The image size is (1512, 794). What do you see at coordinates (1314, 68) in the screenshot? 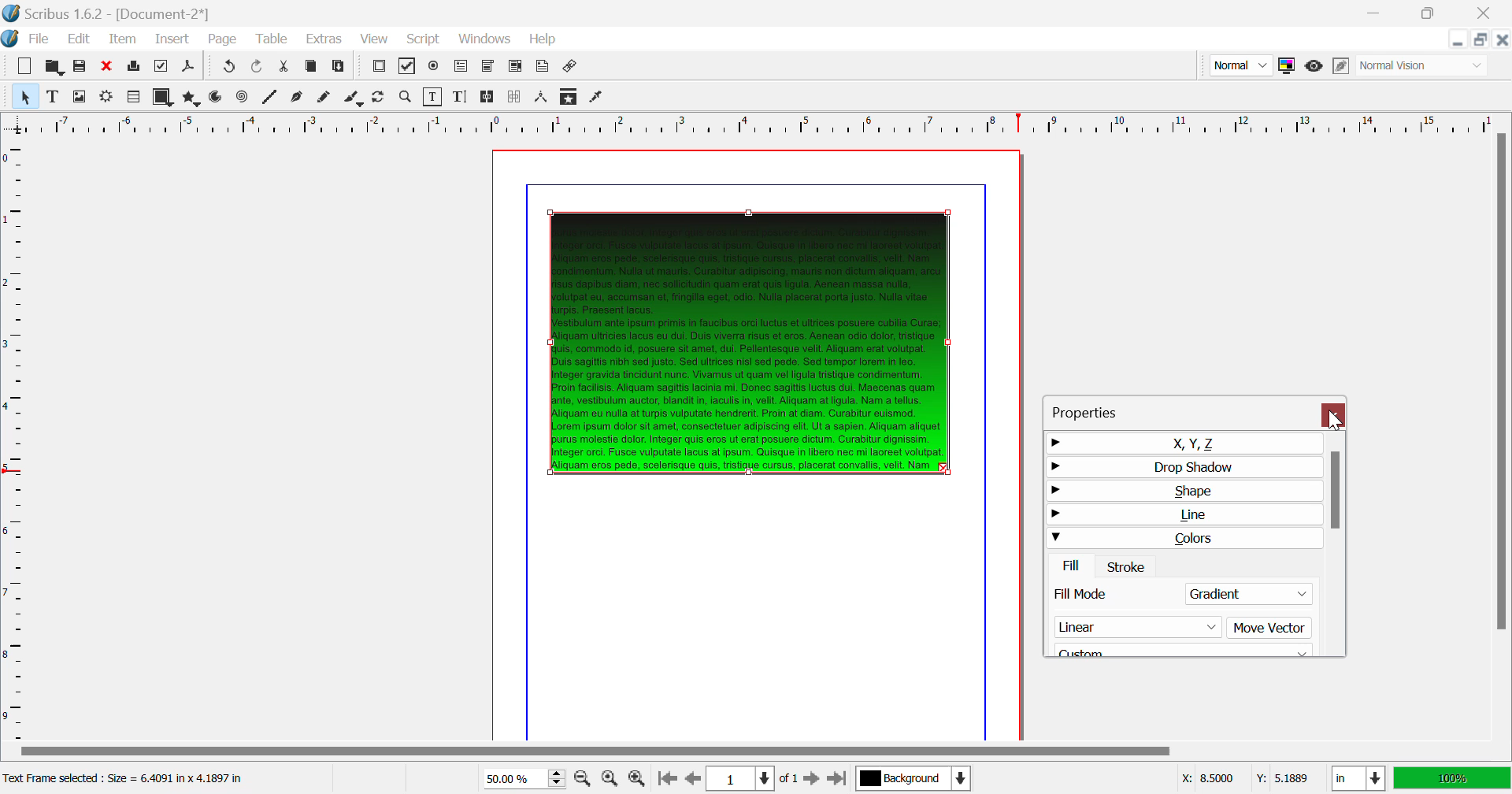
I see `Preview Mode` at bounding box center [1314, 68].